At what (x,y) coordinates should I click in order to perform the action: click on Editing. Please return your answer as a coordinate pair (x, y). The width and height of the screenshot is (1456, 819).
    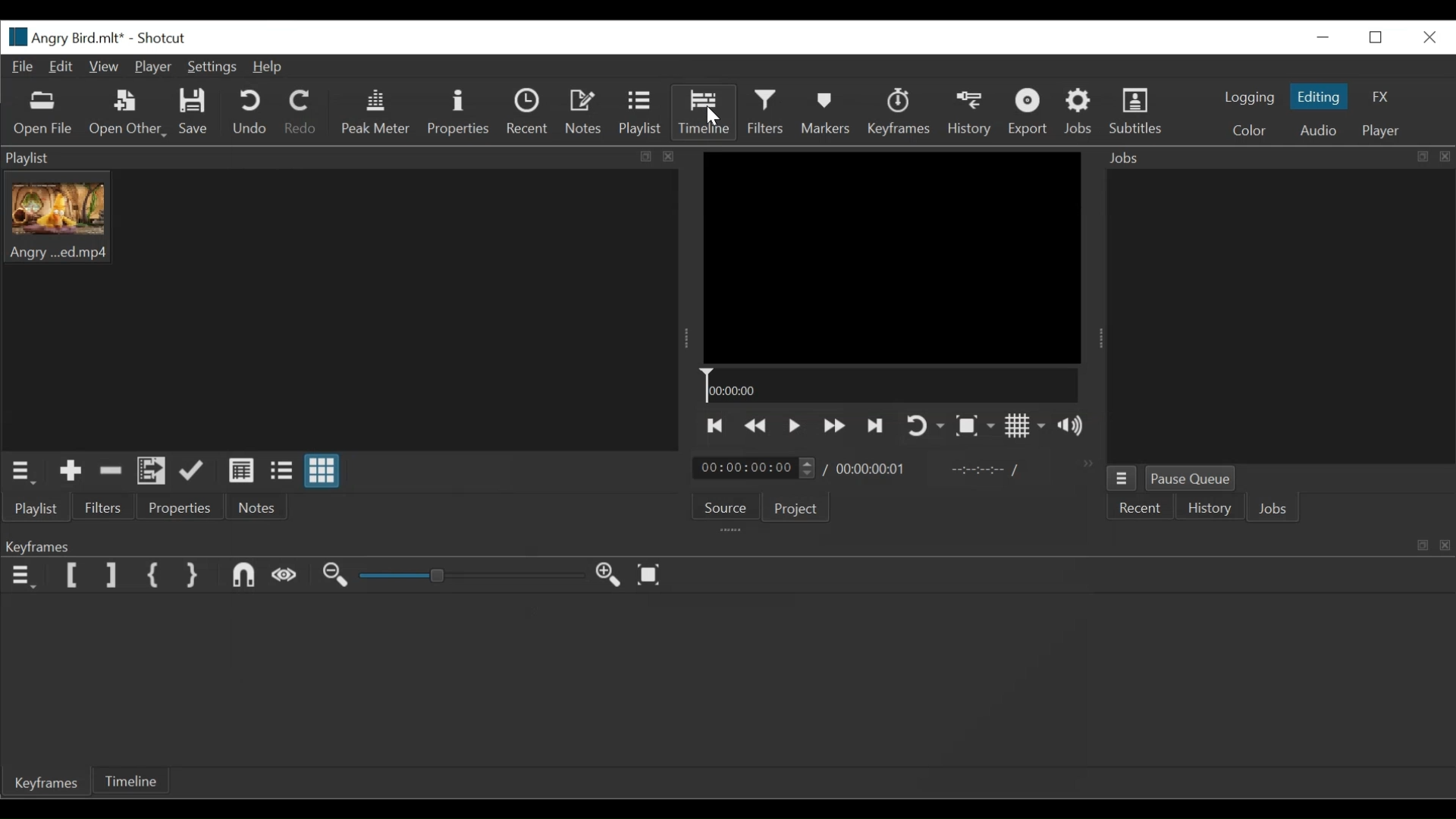
    Looking at the image, I should click on (1321, 96).